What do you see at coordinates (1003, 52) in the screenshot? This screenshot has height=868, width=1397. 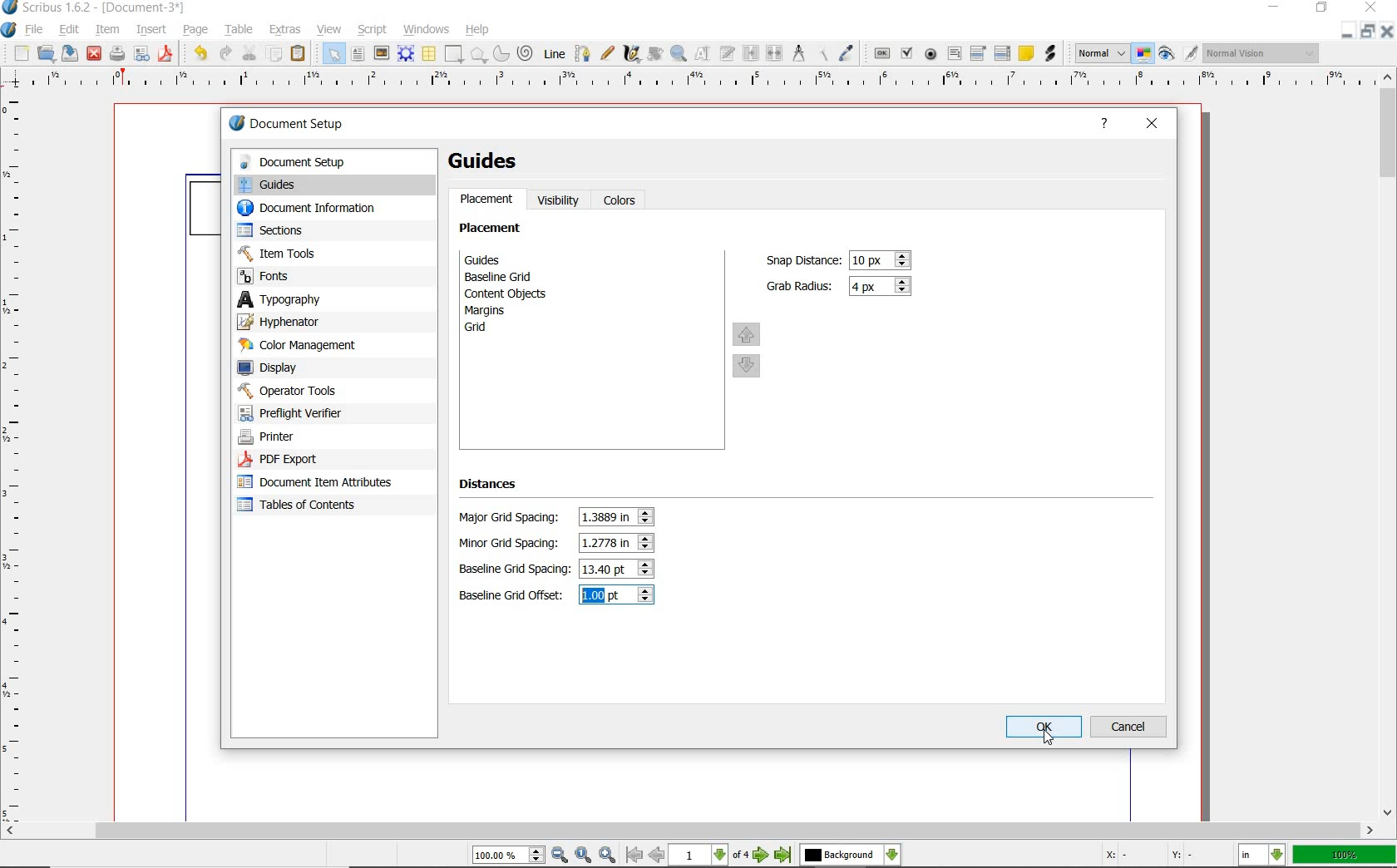 I see `pdf list box` at bounding box center [1003, 52].